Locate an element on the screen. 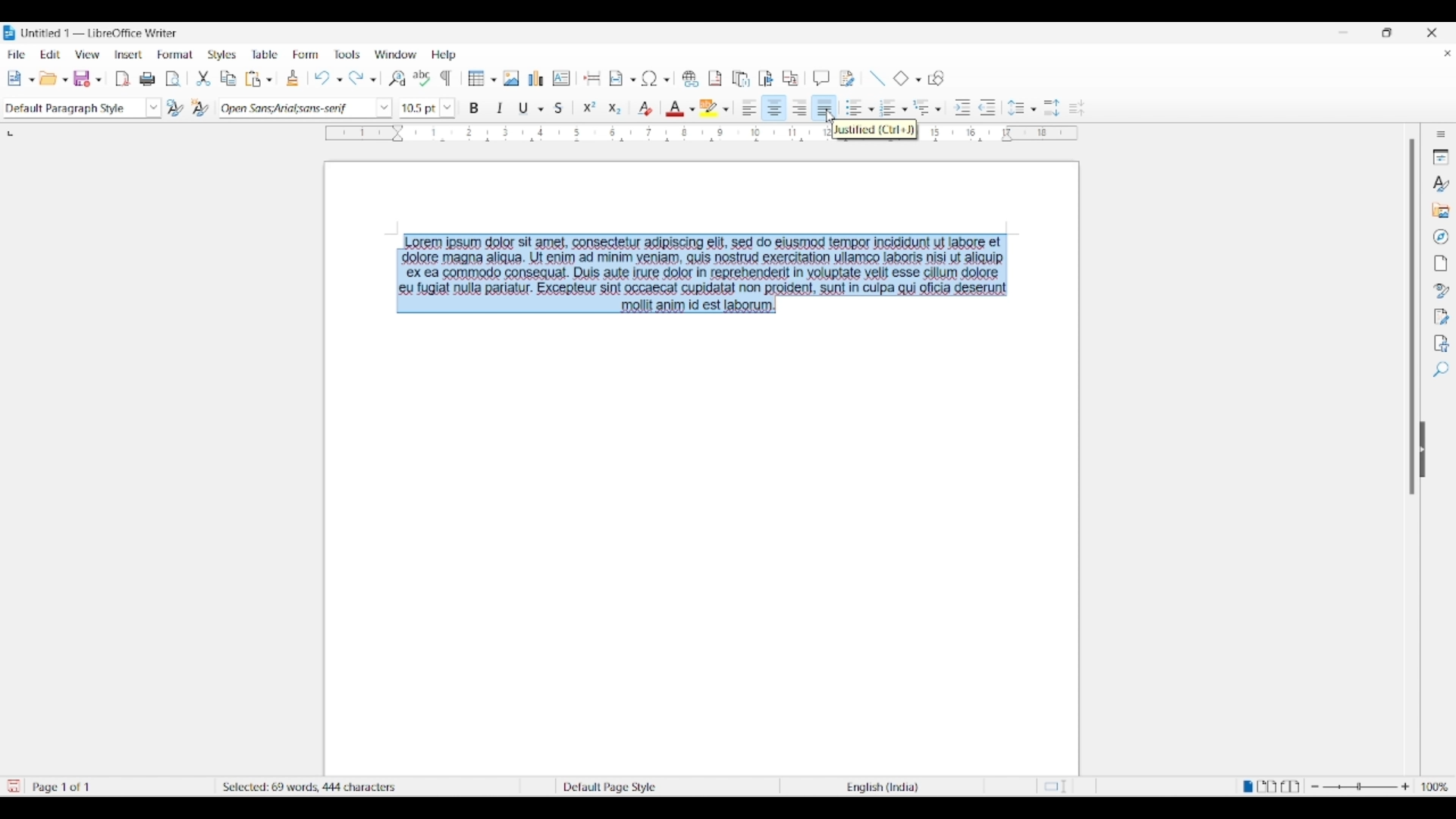  Table is located at coordinates (265, 54).